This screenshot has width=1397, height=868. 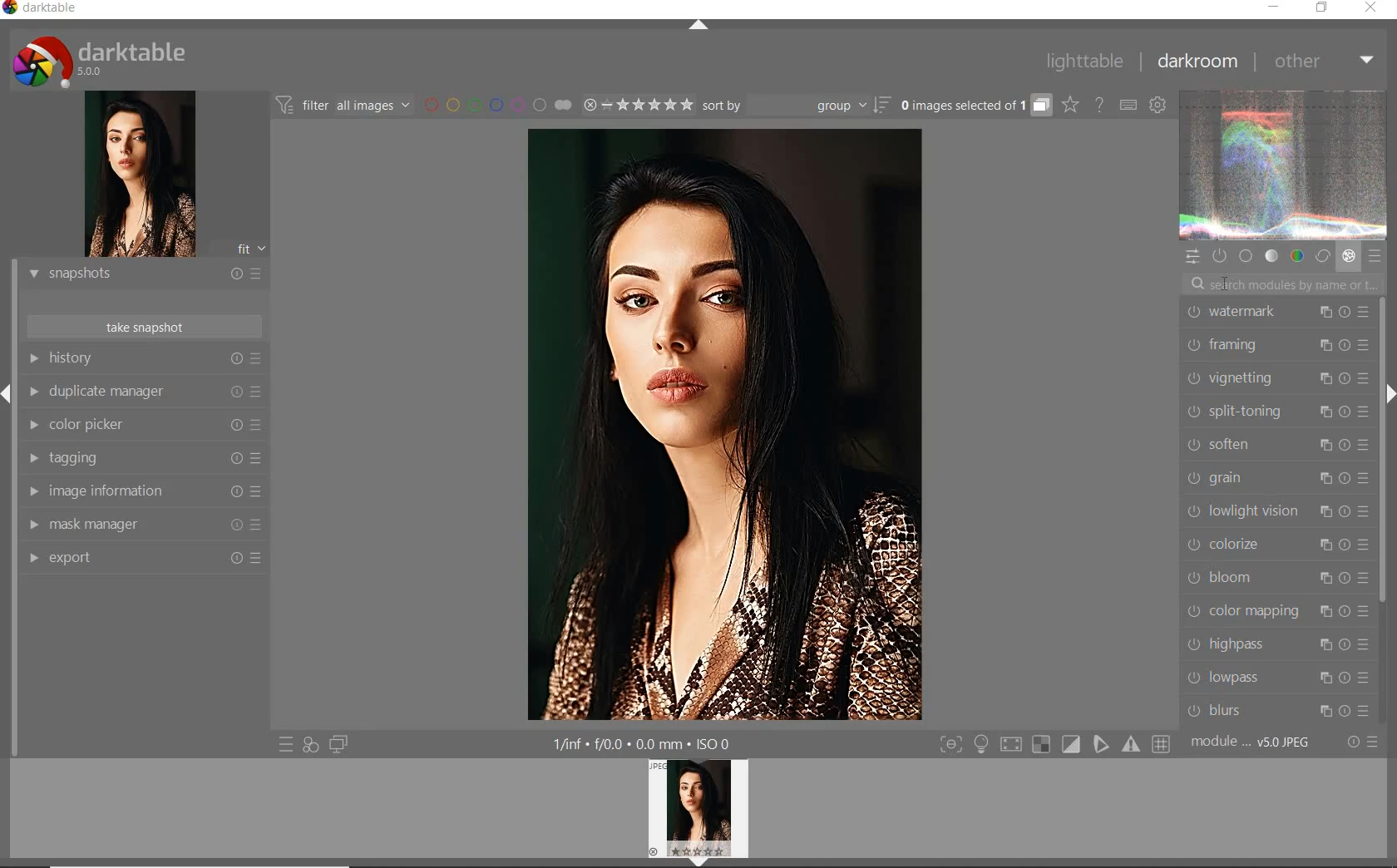 I want to click on SCROLLBAR, so click(x=1387, y=464).